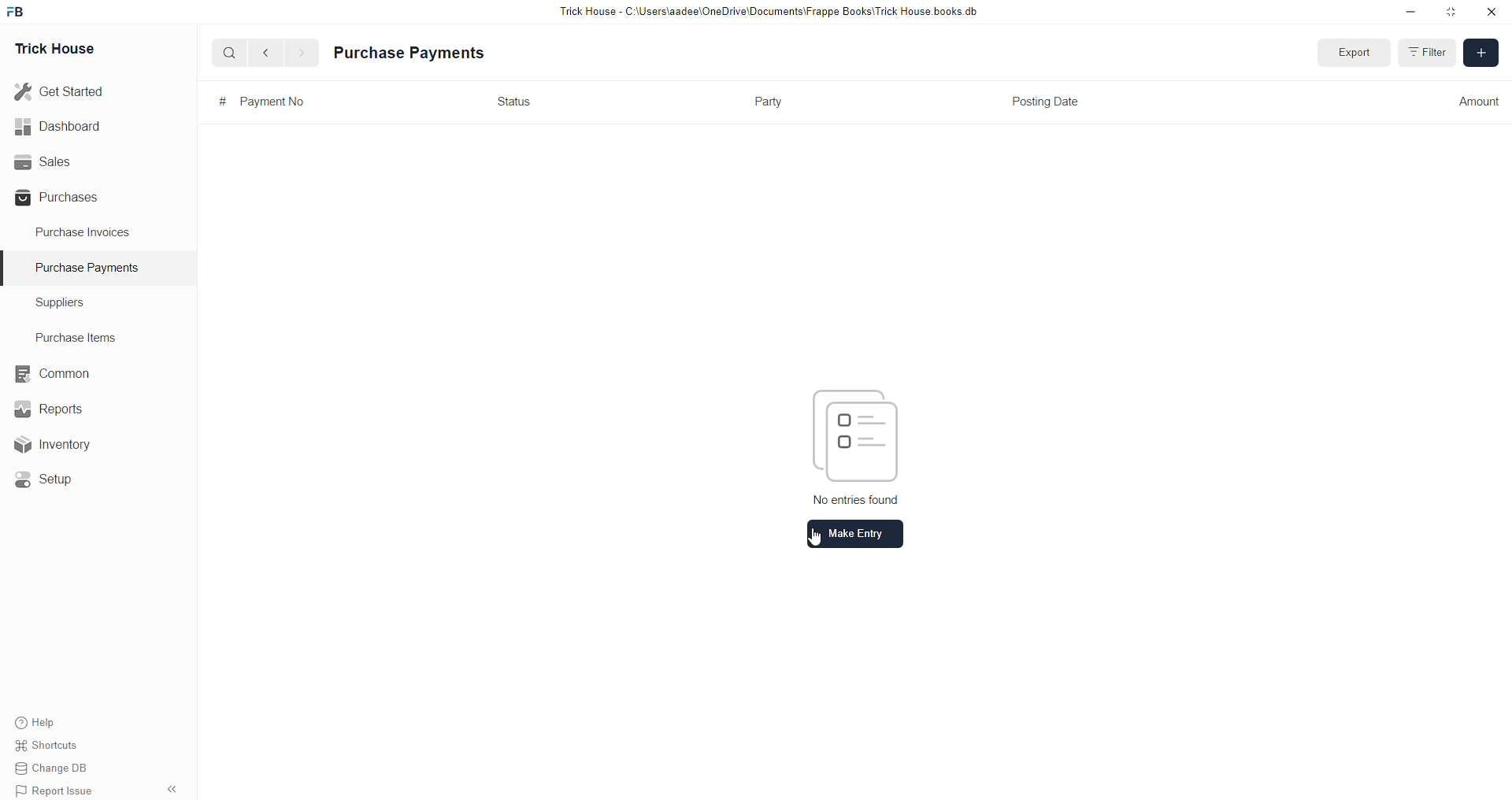  Describe the element at coordinates (56, 747) in the screenshot. I see `Shortcuts` at that location.